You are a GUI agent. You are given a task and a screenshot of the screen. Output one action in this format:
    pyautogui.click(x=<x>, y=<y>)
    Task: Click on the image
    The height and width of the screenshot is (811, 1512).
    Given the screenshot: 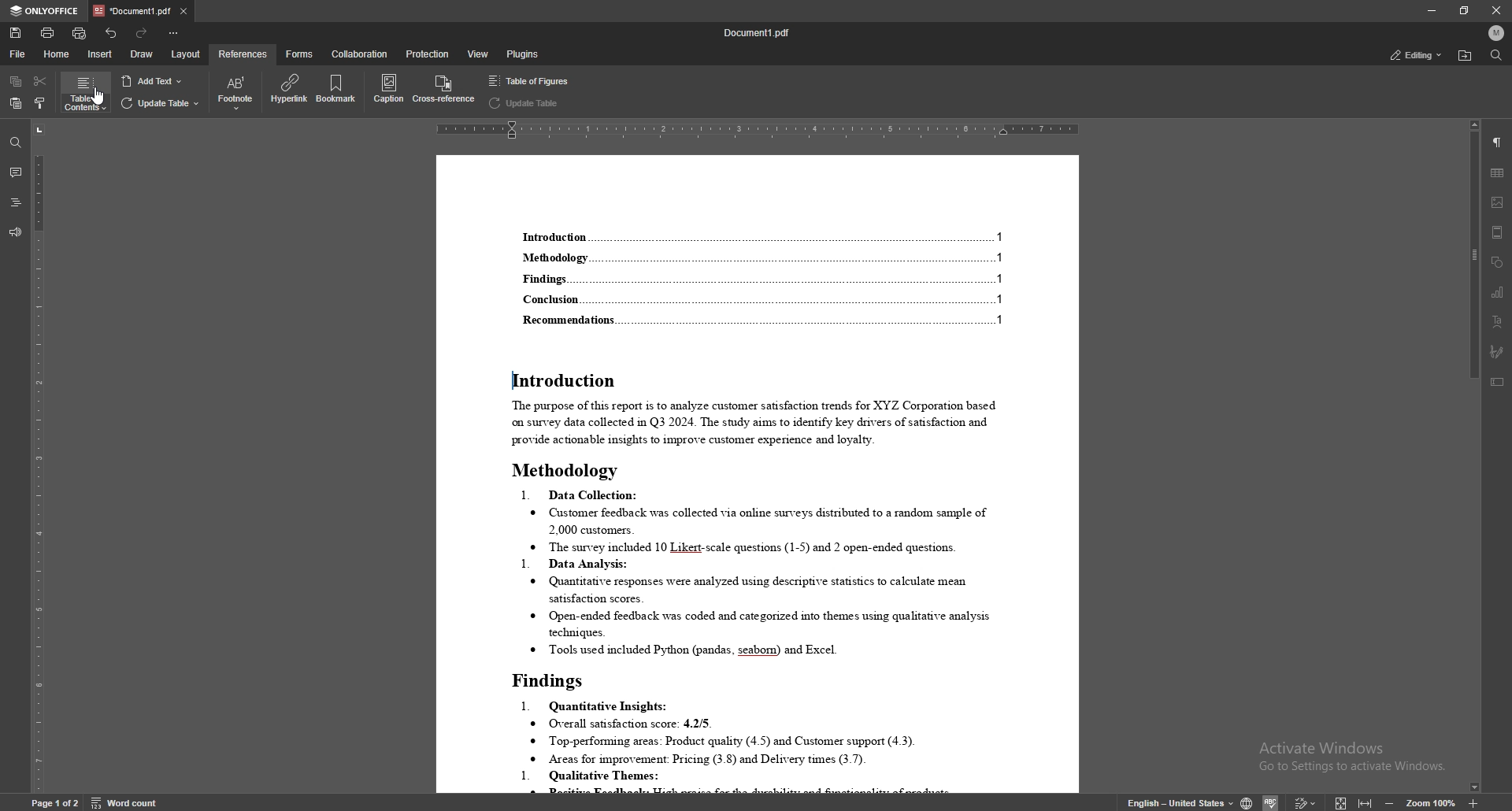 What is the action you would take?
    pyautogui.click(x=1498, y=202)
    